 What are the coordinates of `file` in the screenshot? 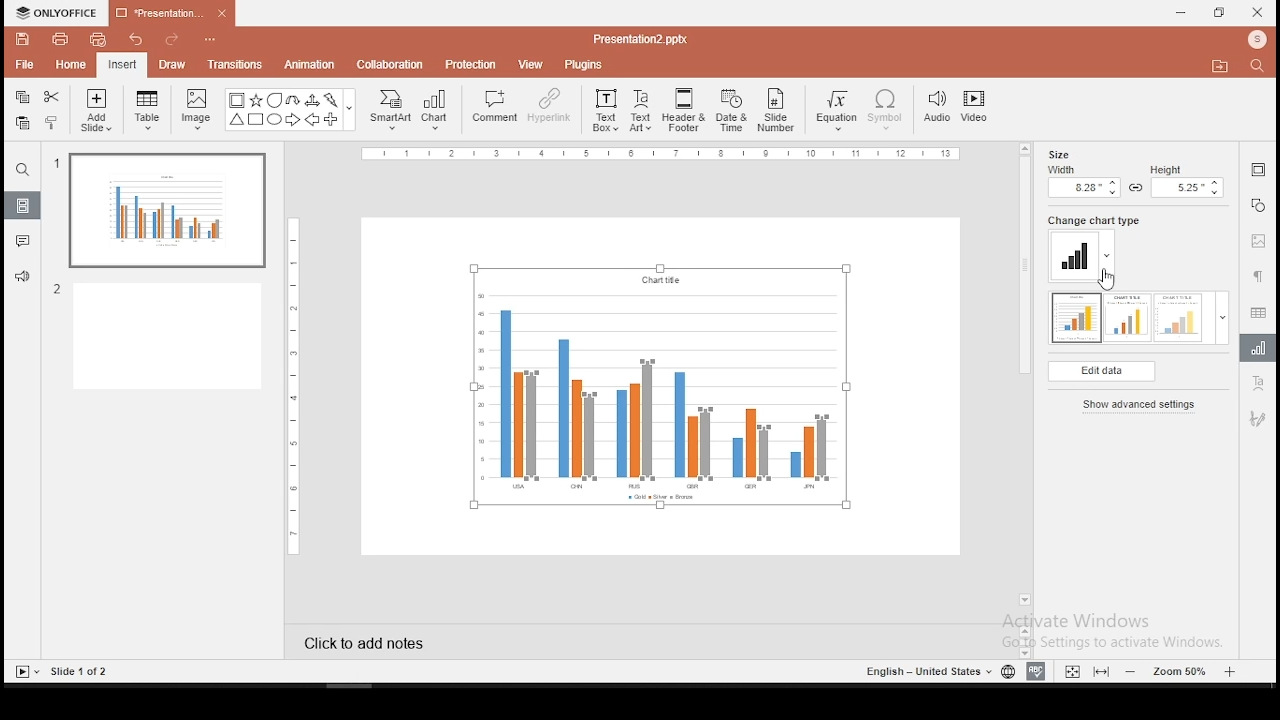 It's located at (23, 63).